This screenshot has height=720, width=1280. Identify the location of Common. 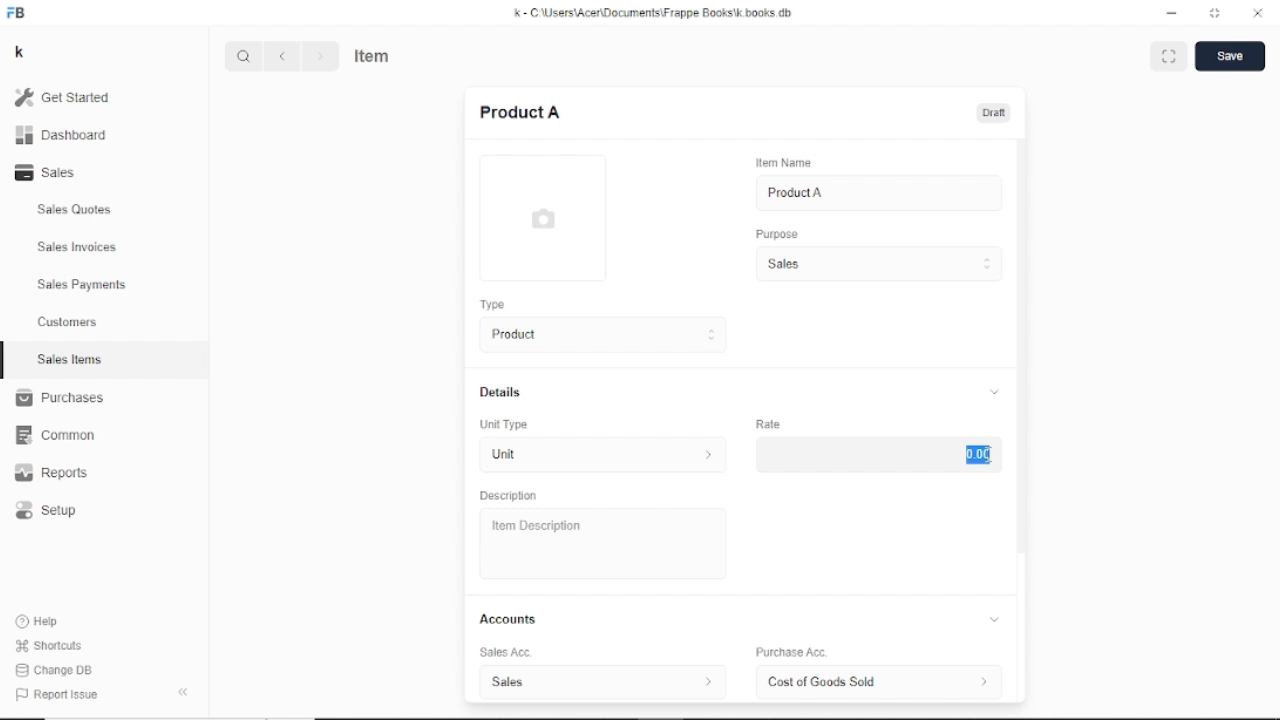
(55, 436).